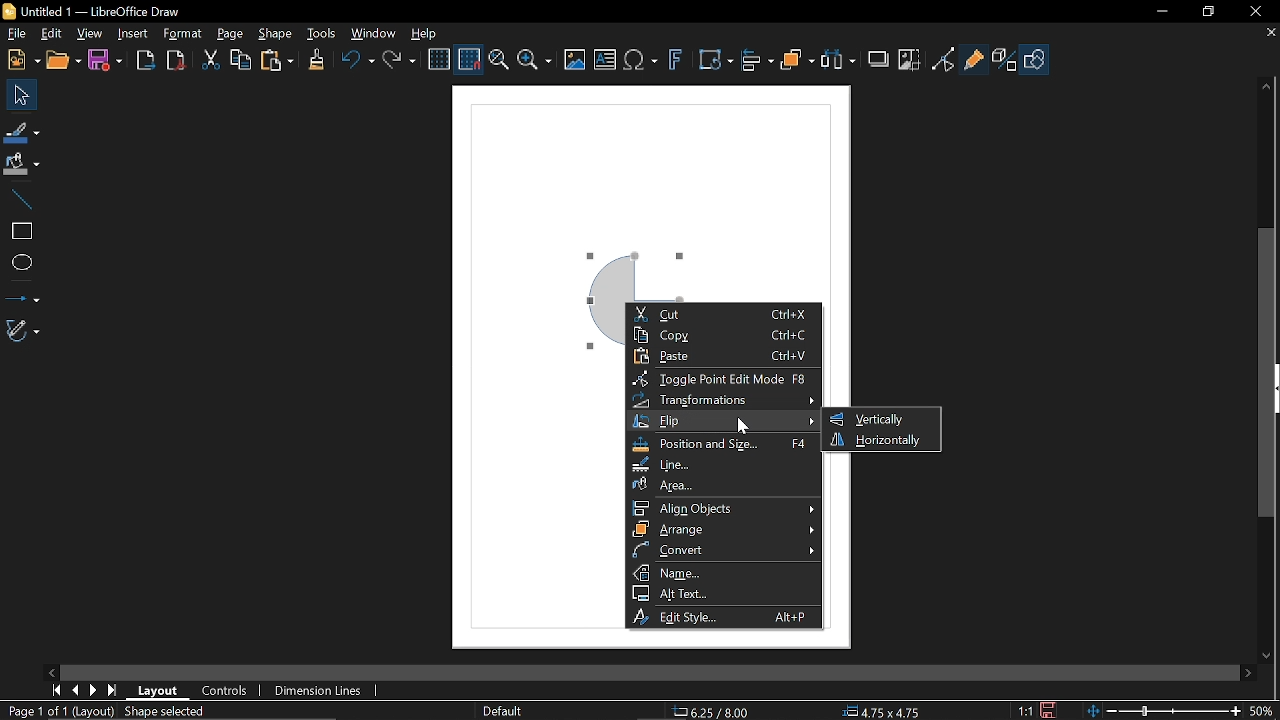 This screenshot has width=1280, height=720. Describe the element at coordinates (57, 710) in the screenshot. I see `Page 1 of 1 (Layout)` at that location.